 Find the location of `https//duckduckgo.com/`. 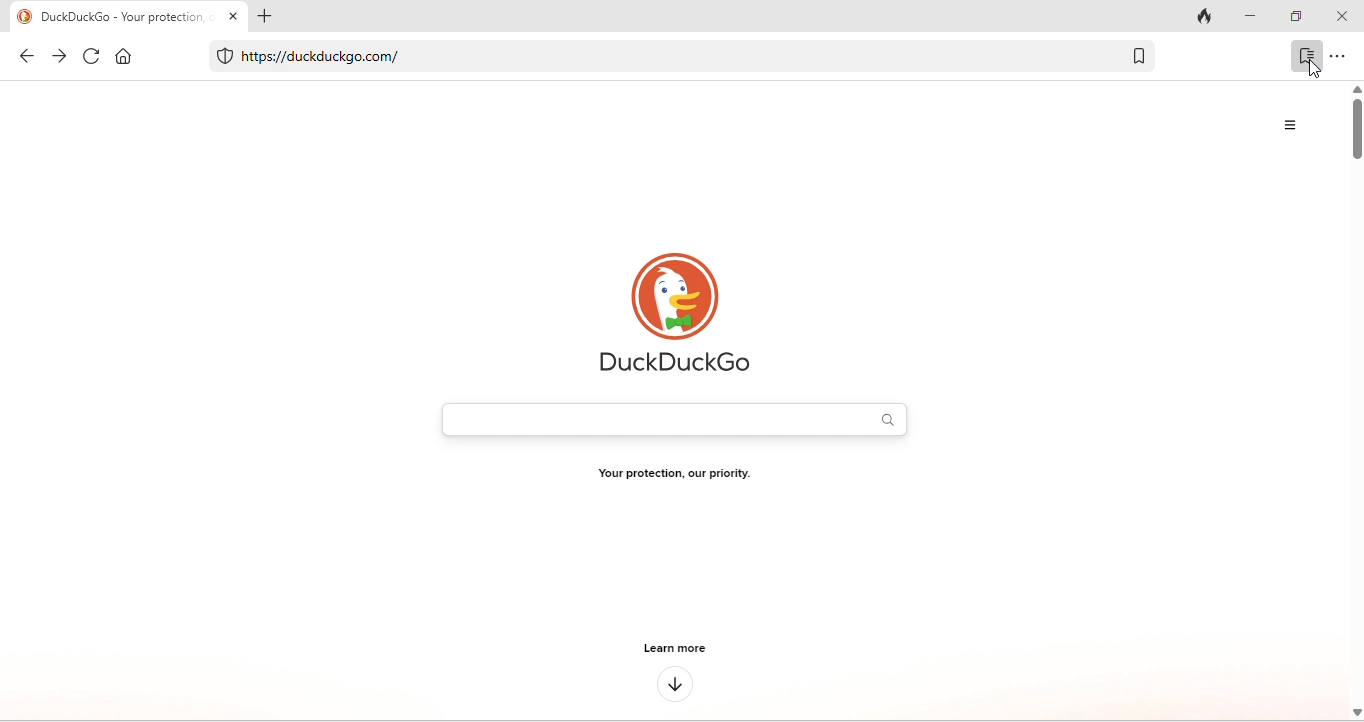

https//duckduckgo.com/ is located at coordinates (662, 58).